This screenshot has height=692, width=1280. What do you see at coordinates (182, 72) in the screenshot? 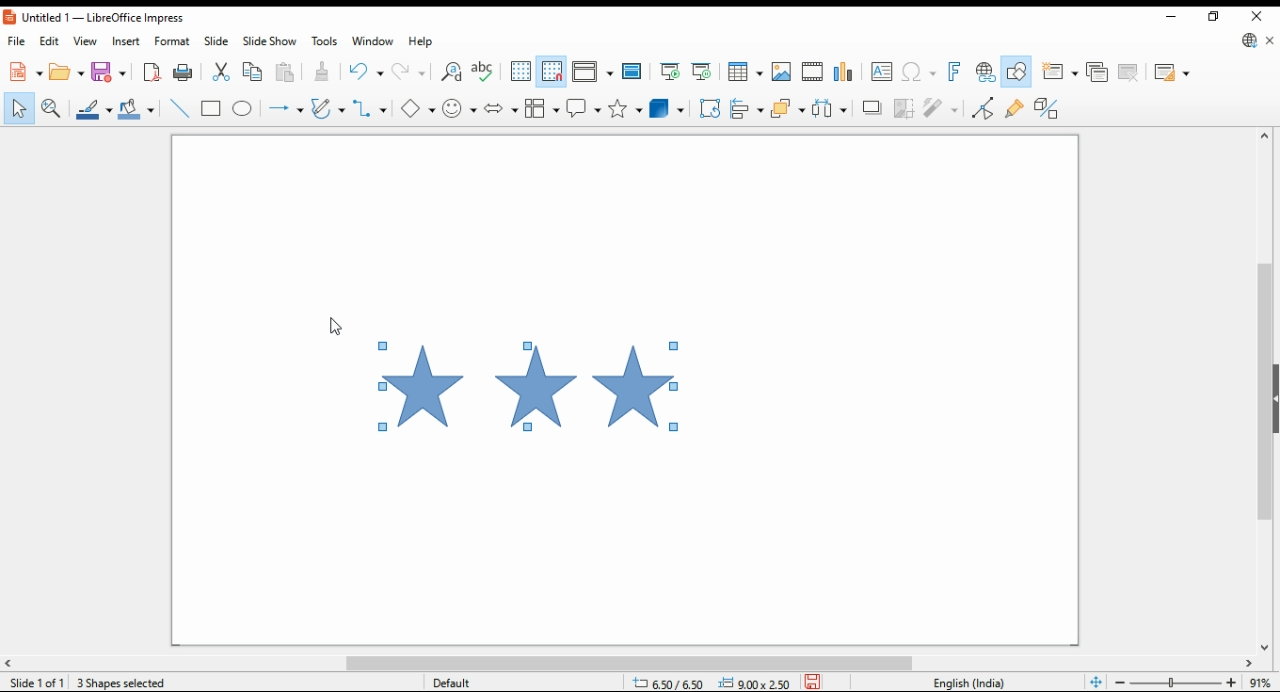
I see `print` at bounding box center [182, 72].